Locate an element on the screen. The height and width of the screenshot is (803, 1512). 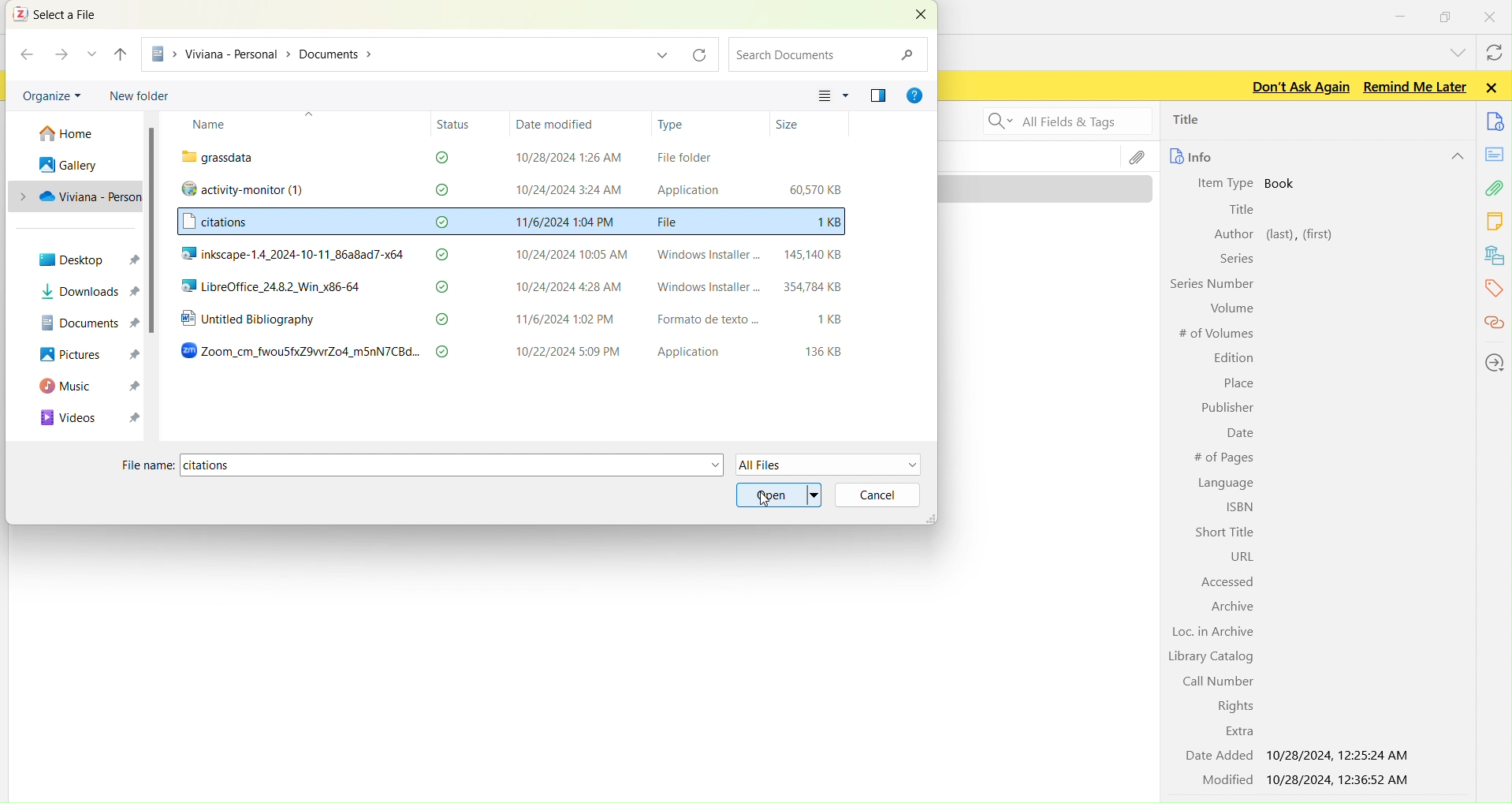
inkscape-1.4_2024-10-11_86a8ad7-x64 is located at coordinates (293, 255).